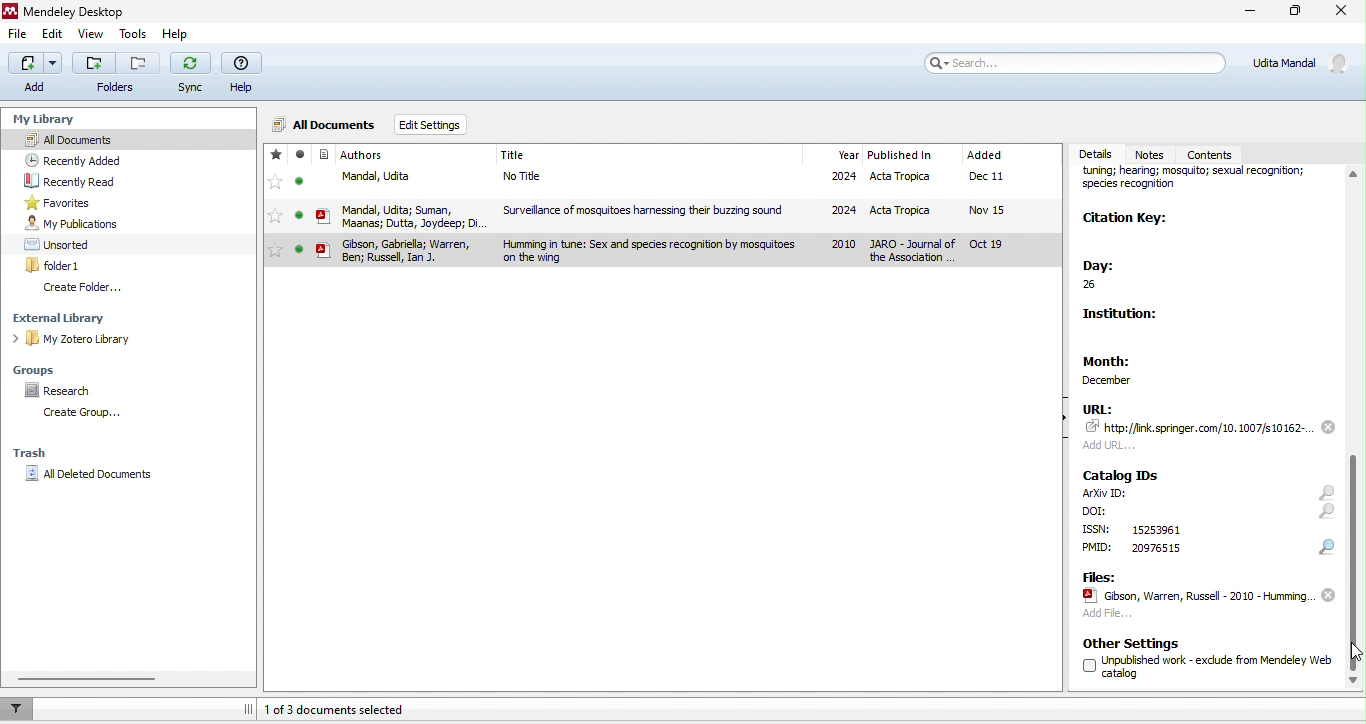  Describe the element at coordinates (514, 156) in the screenshot. I see `journal title` at that location.